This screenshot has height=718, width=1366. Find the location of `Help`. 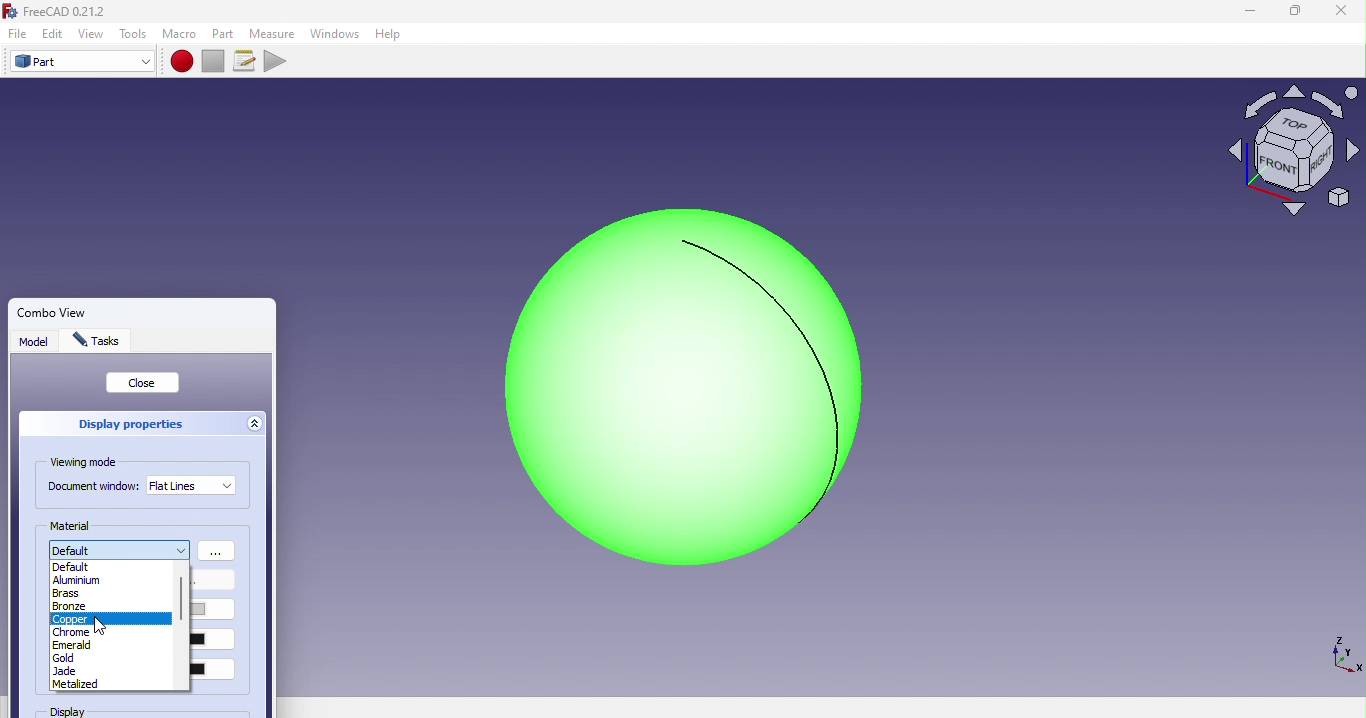

Help is located at coordinates (393, 34).